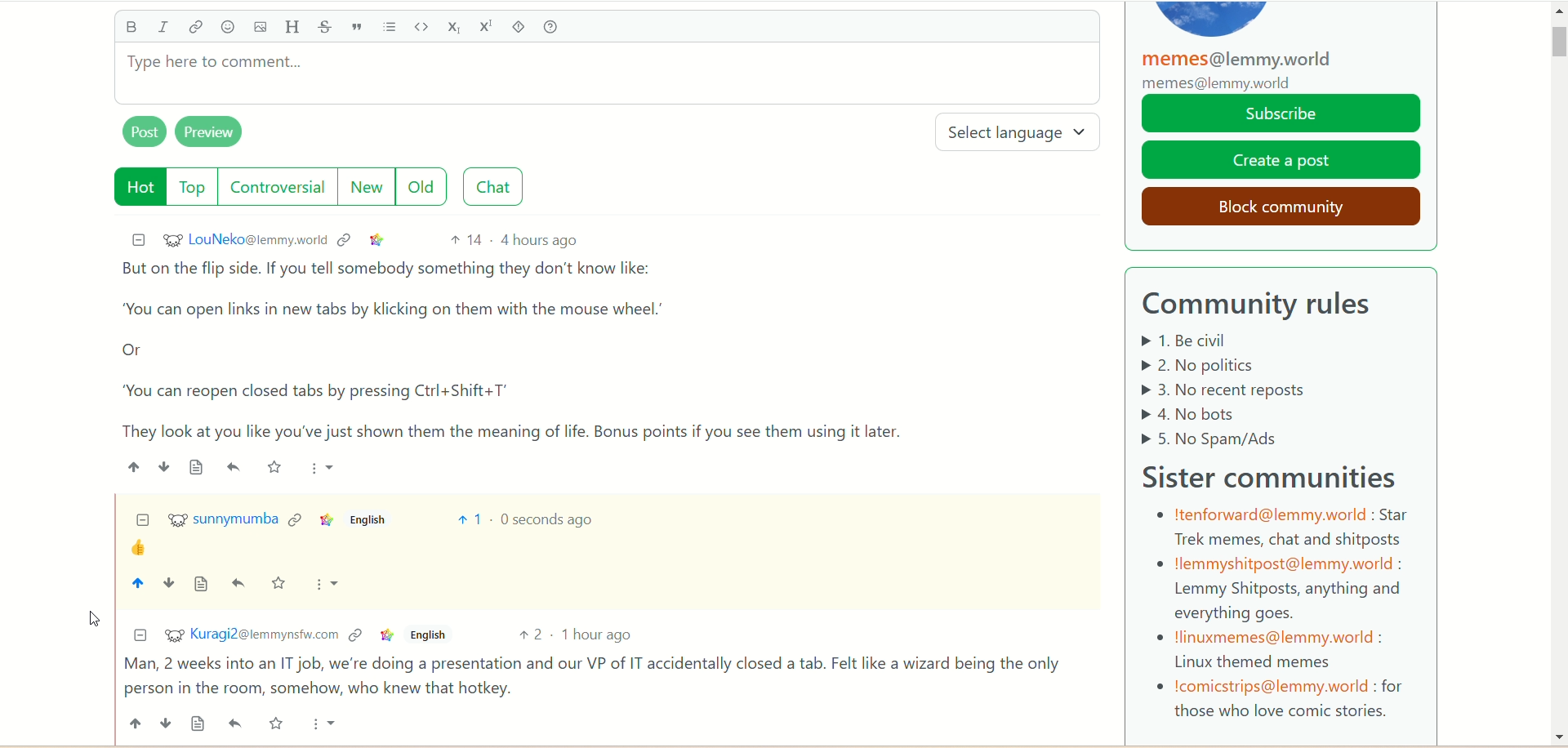 The height and width of the screenshot is (748, 1568). Describe the element at coordinates (227, 28) in the screenshot. I see `emoji` at that location.